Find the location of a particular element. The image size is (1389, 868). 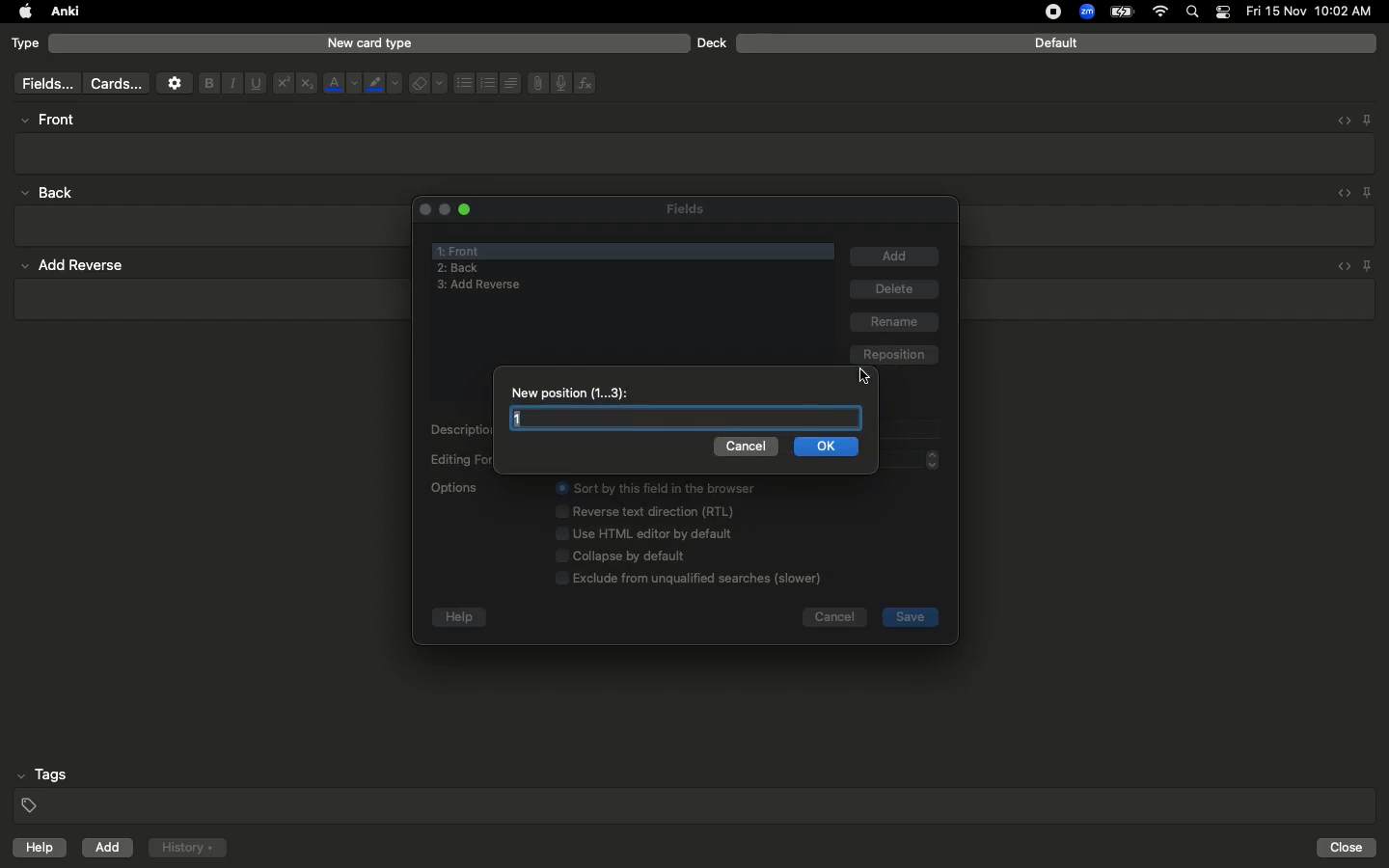

page up is located at coordinates (933, 468).